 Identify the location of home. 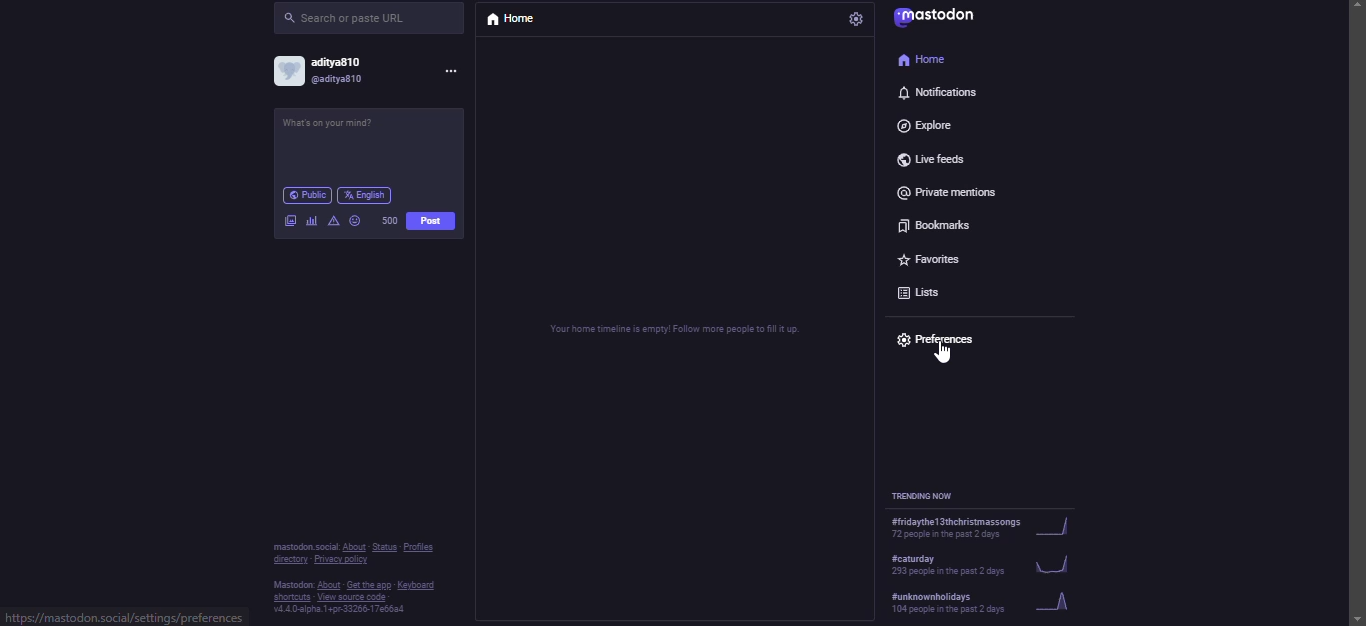
(517, 18).